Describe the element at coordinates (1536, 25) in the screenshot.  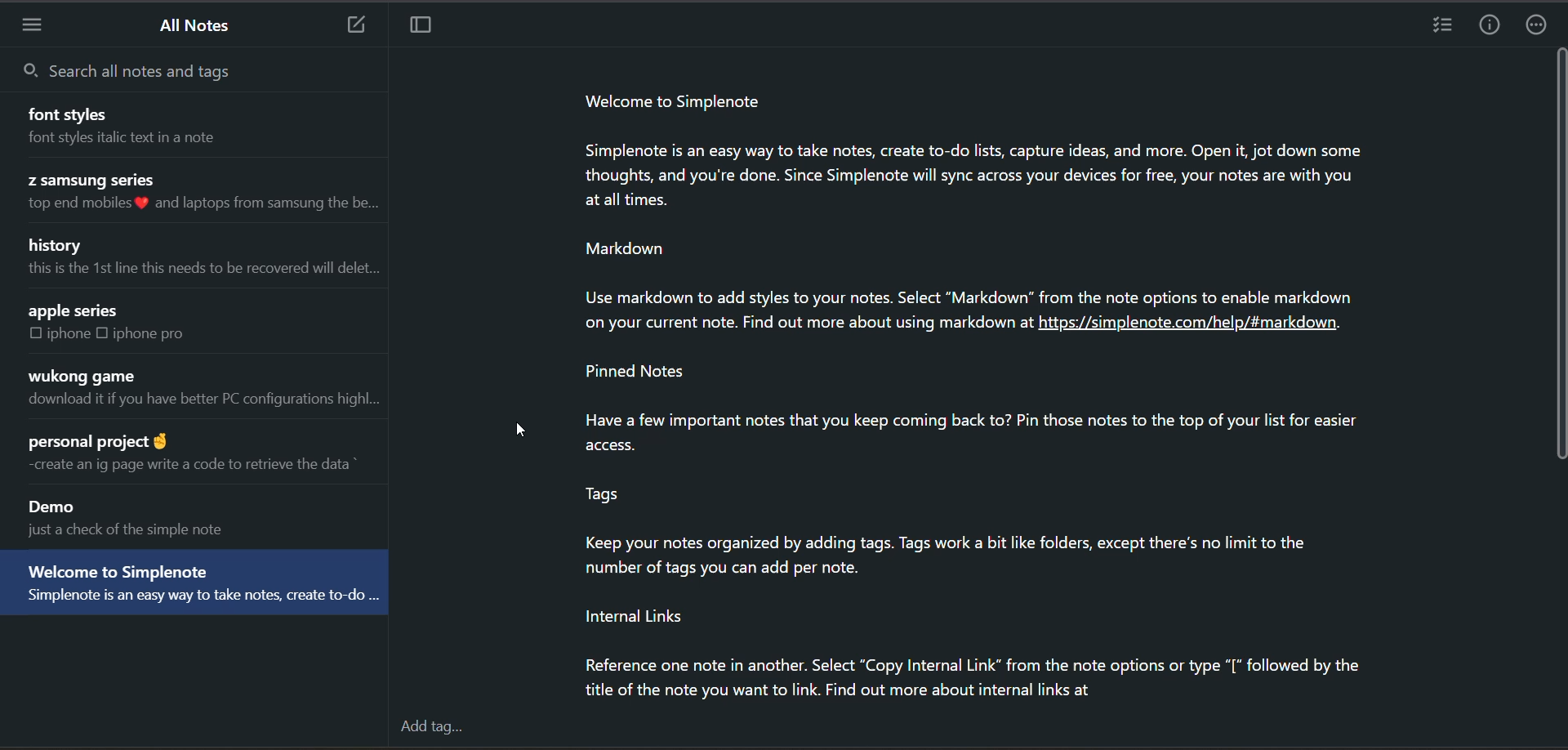
I see `actions` at that location.